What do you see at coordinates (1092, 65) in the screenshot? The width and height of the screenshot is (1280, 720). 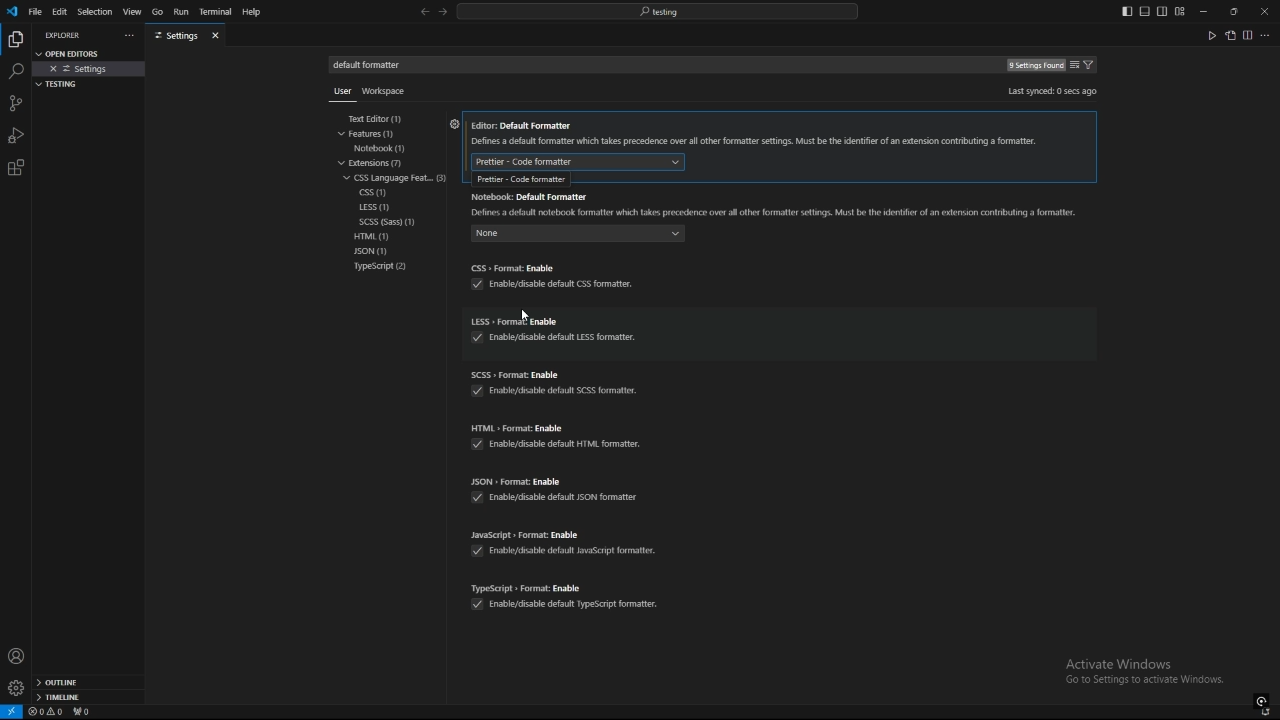 I see `filter settings` at bounding box center [1092, 65].